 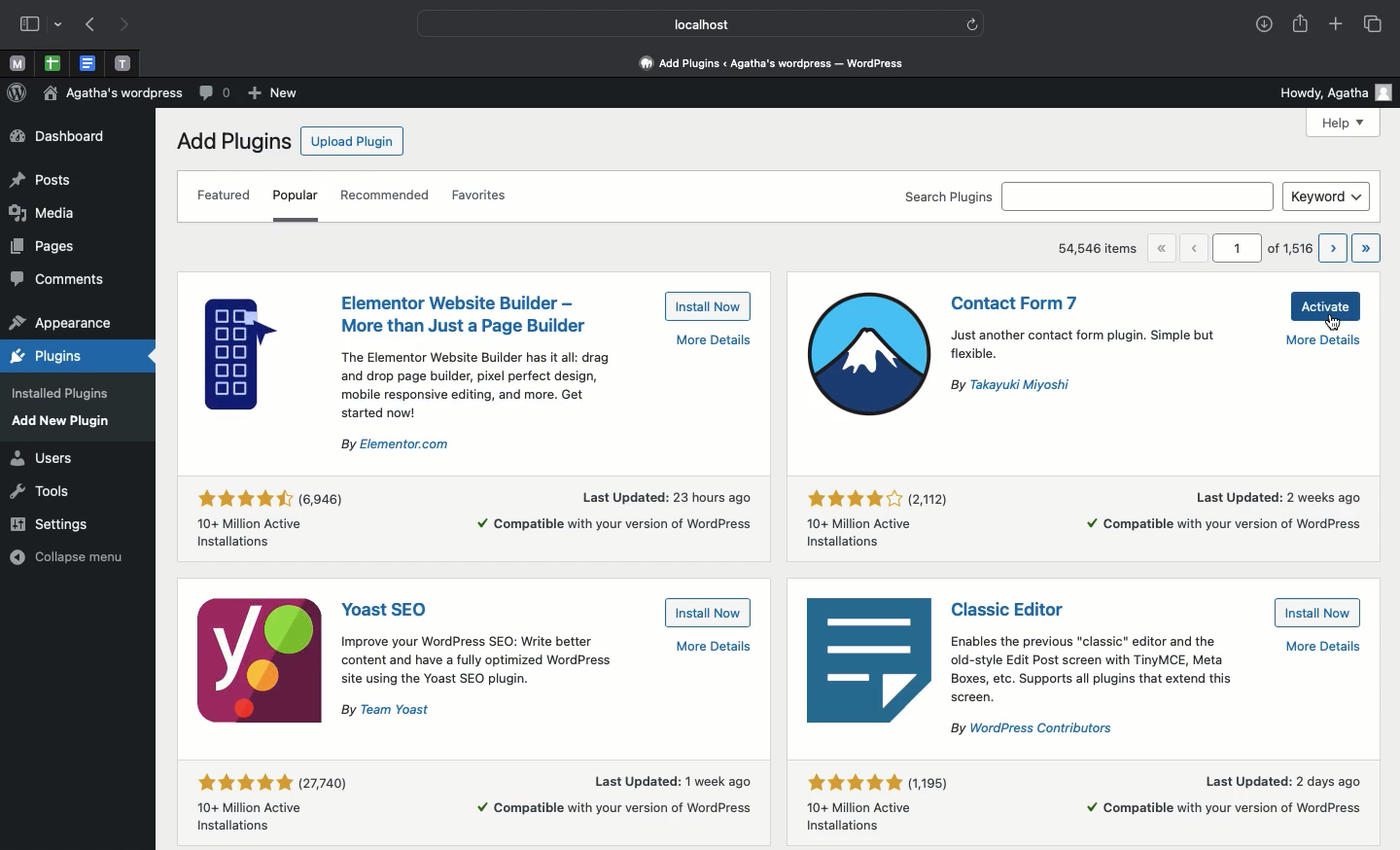 I want to click on Downloads, so click(x=1261, y=26).